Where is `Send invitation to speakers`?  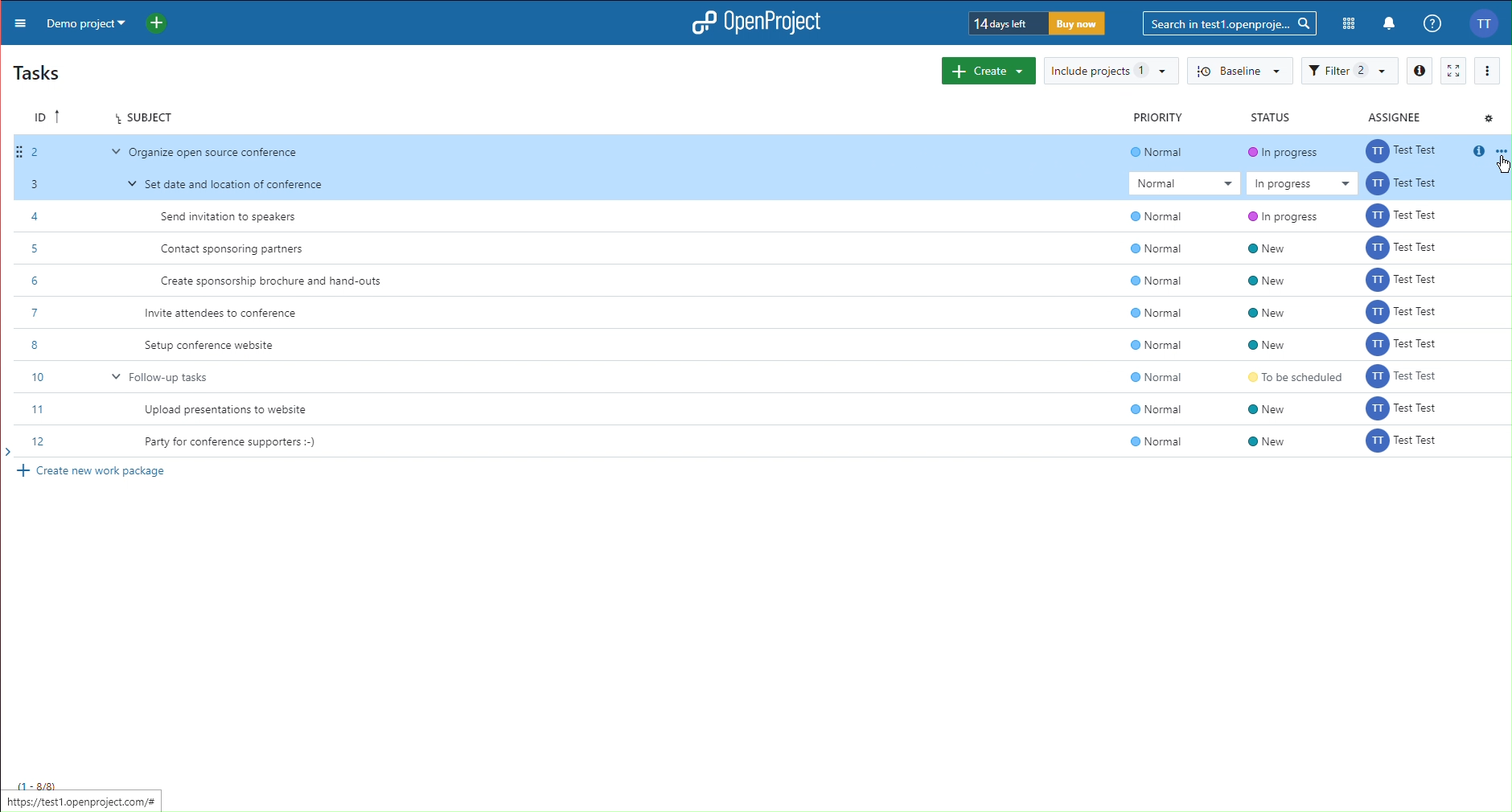
Send invitation to speakers is located at coordinates (236, 217).